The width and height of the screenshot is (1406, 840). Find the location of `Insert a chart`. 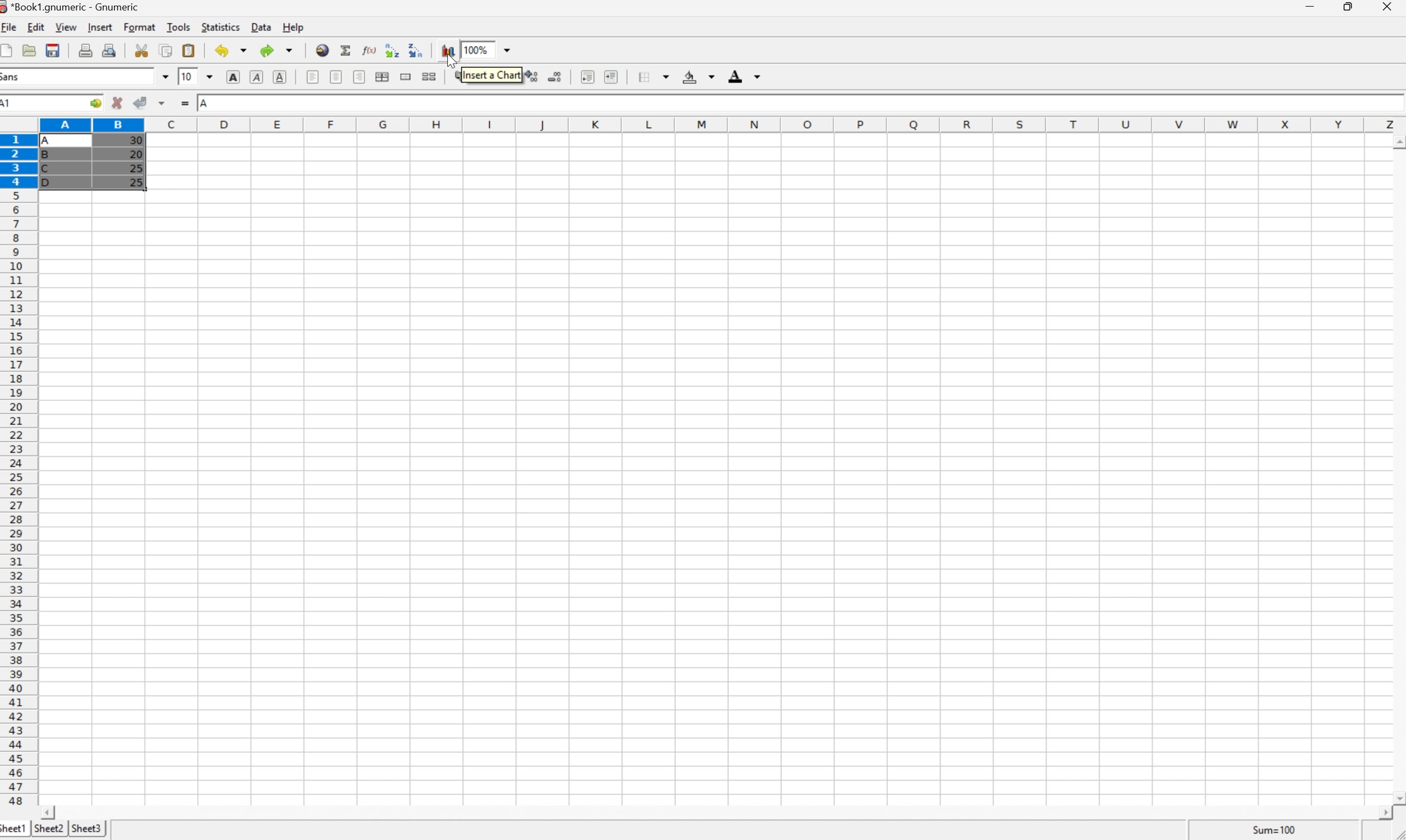

Insert a chart is located at coordinates (447, 48).